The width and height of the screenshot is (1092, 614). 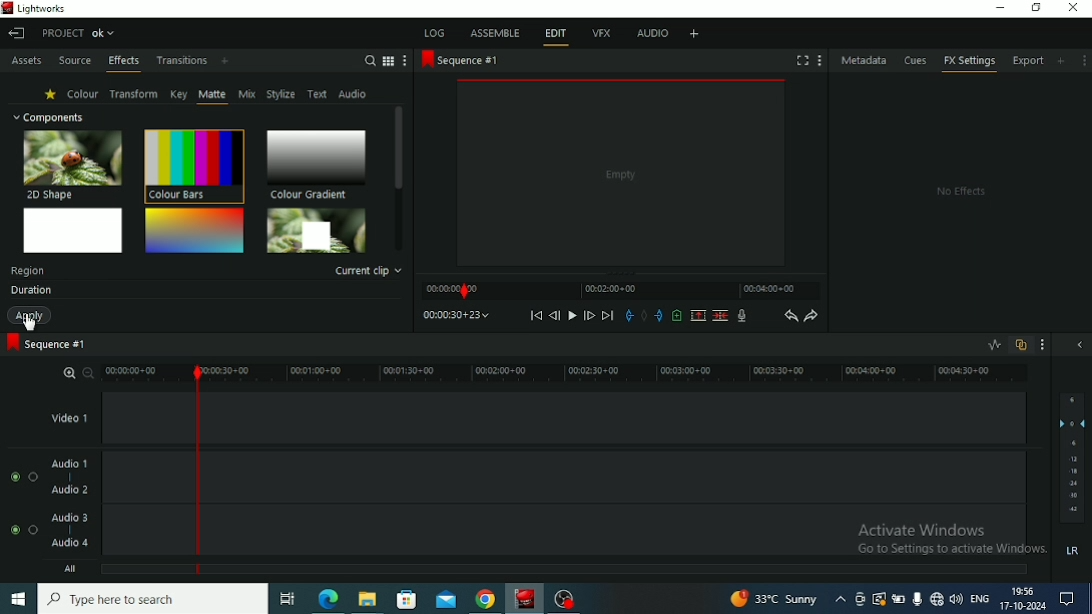 What do you see at coordinates (247, 94) in the screenshot?
I see `Mix` at bounding box center [247, 94].